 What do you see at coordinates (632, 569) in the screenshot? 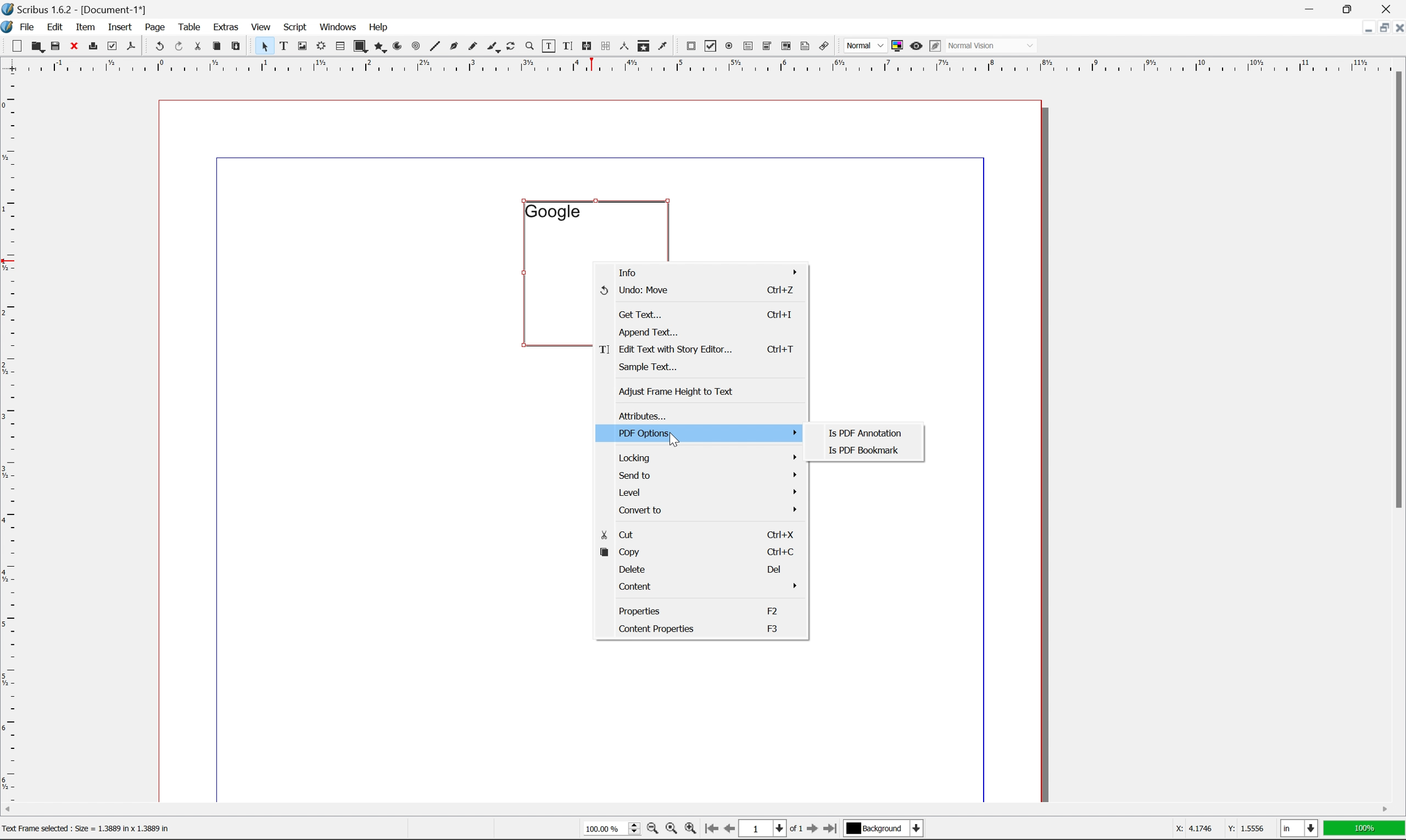
I see `delete` at bounding box center [632, 569].